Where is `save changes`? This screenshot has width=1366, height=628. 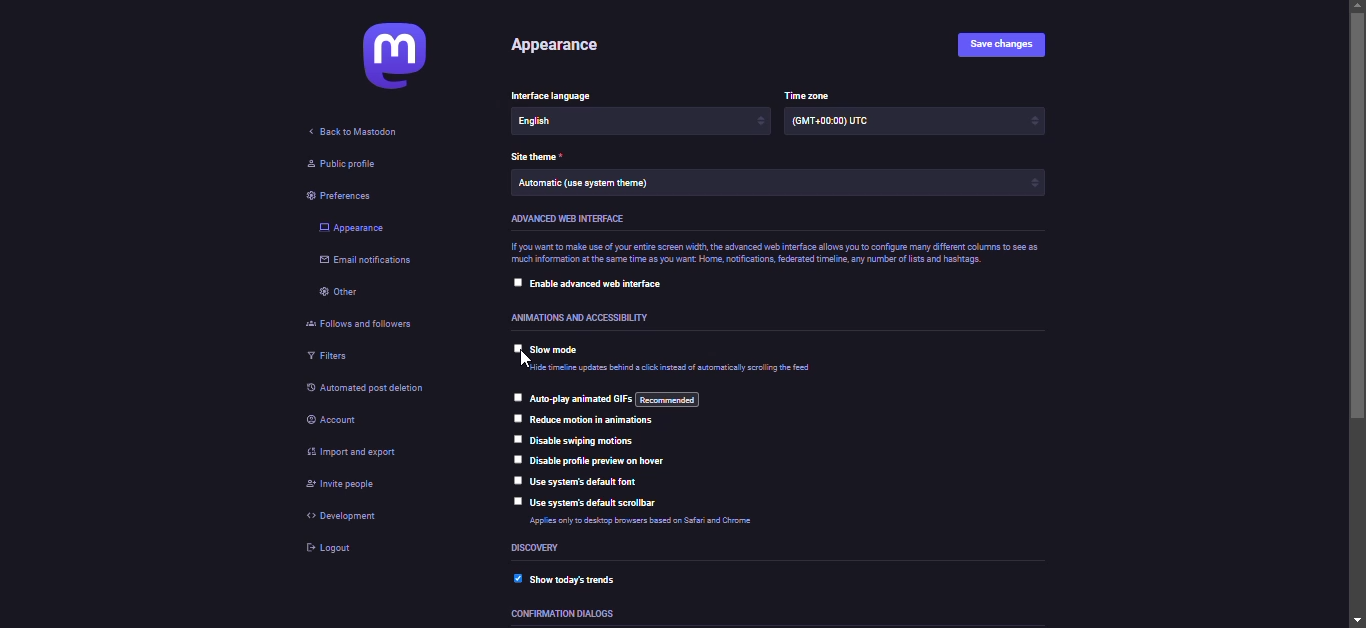 save changes is located at coordinates (1003, 45).